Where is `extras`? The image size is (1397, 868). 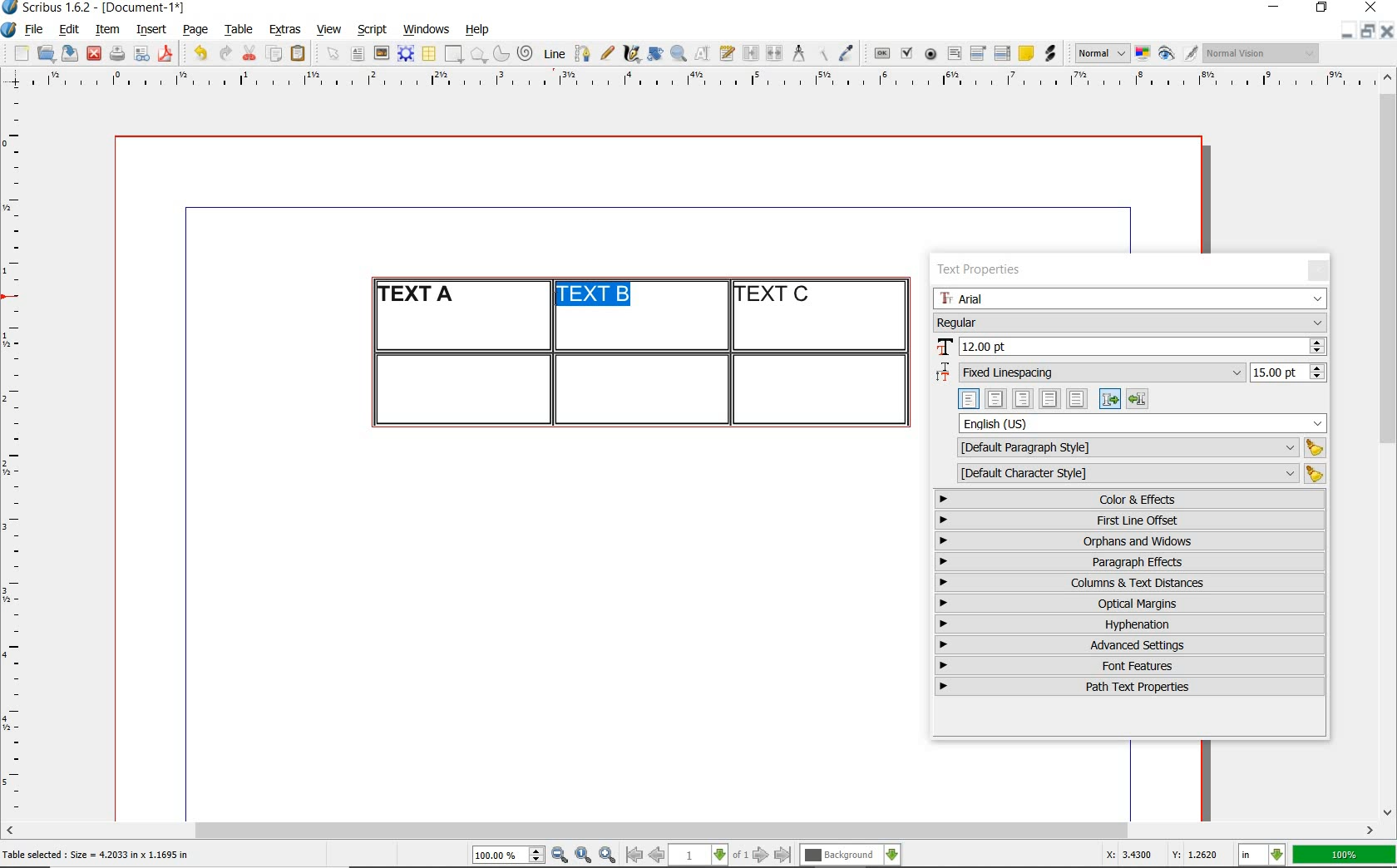
extras is located at coordinates (285, 31).